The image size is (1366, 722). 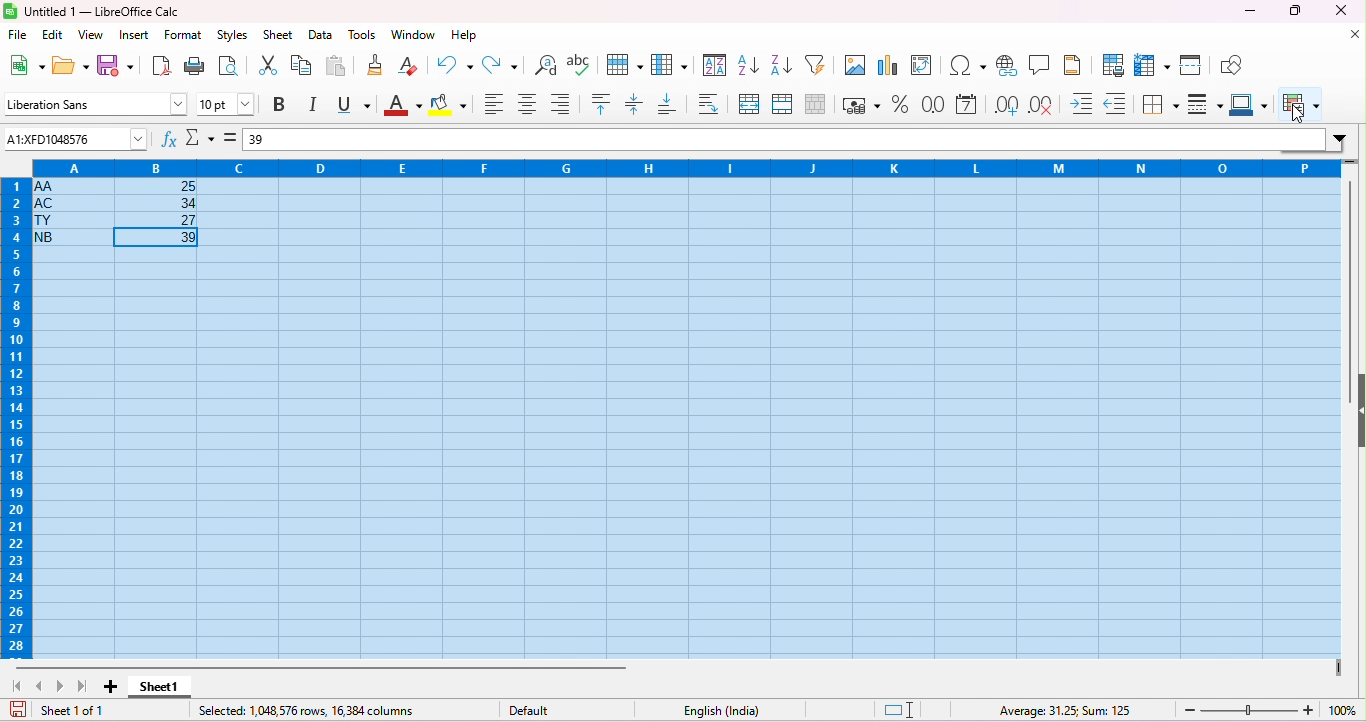 What do you see at coordinates (94, 103) in the screenshot?
I see `font style` at bounding box center [94, 103].